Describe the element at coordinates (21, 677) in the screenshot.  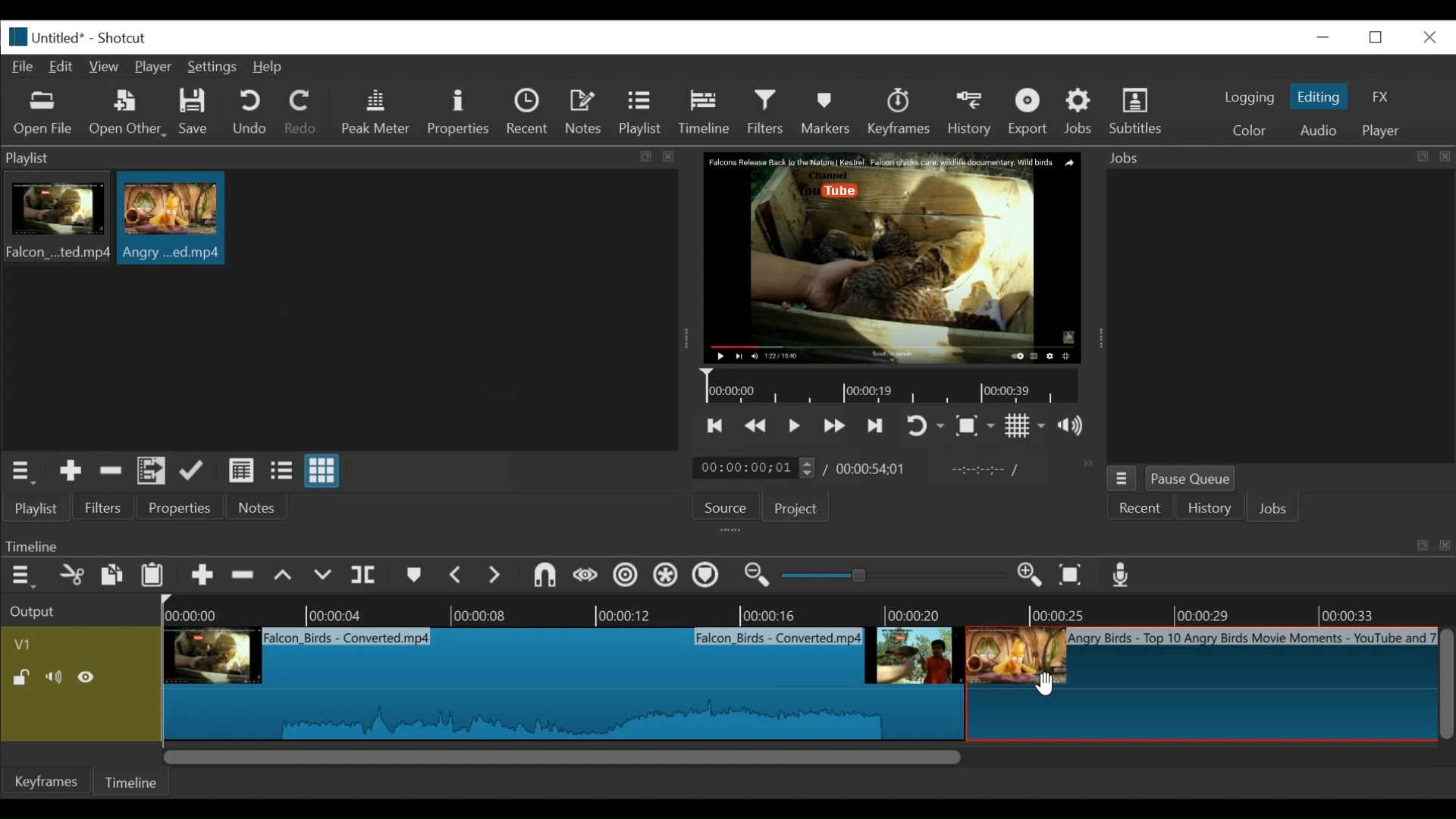
I see `(un)lock track` at that location.